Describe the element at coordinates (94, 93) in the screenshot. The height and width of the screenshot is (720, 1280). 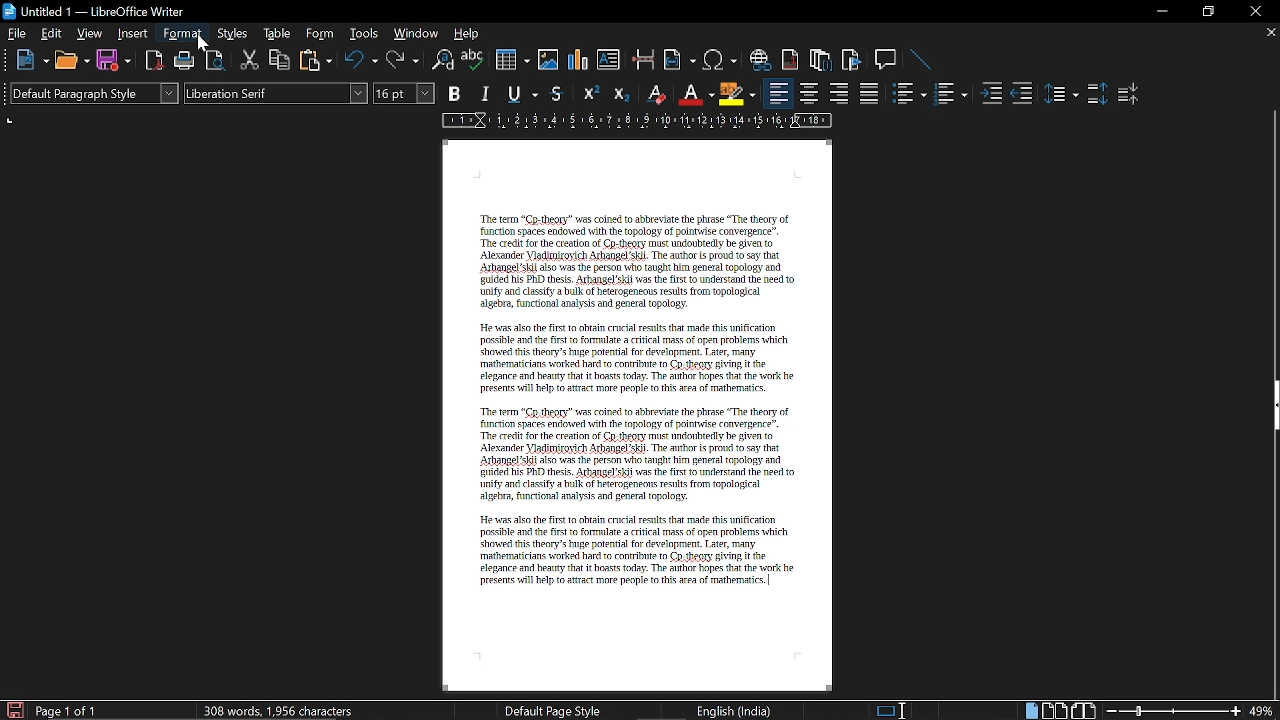
I see `Paragraph style` at that location.